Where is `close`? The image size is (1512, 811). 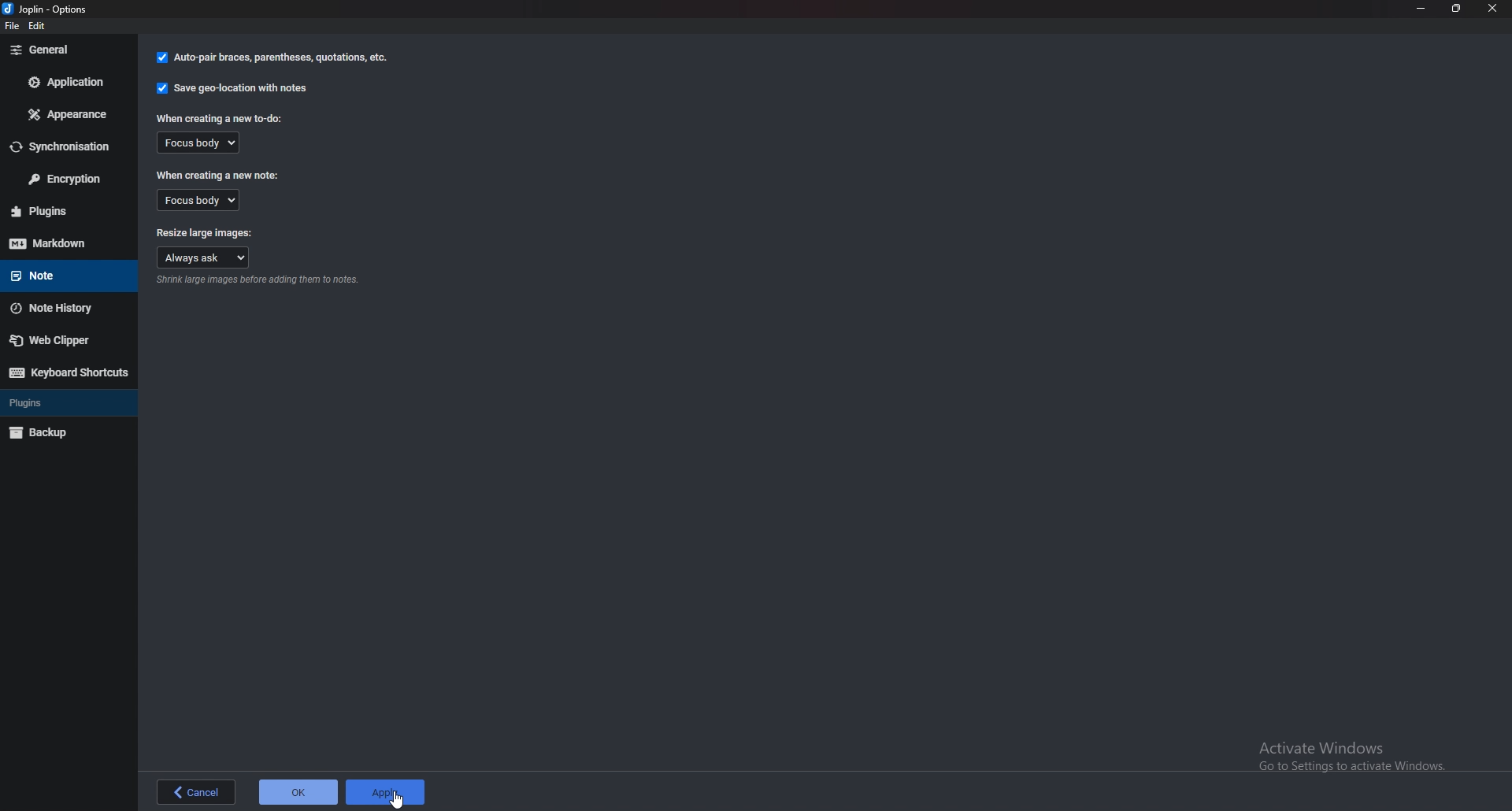 close is located at coordinates (1492, 9).